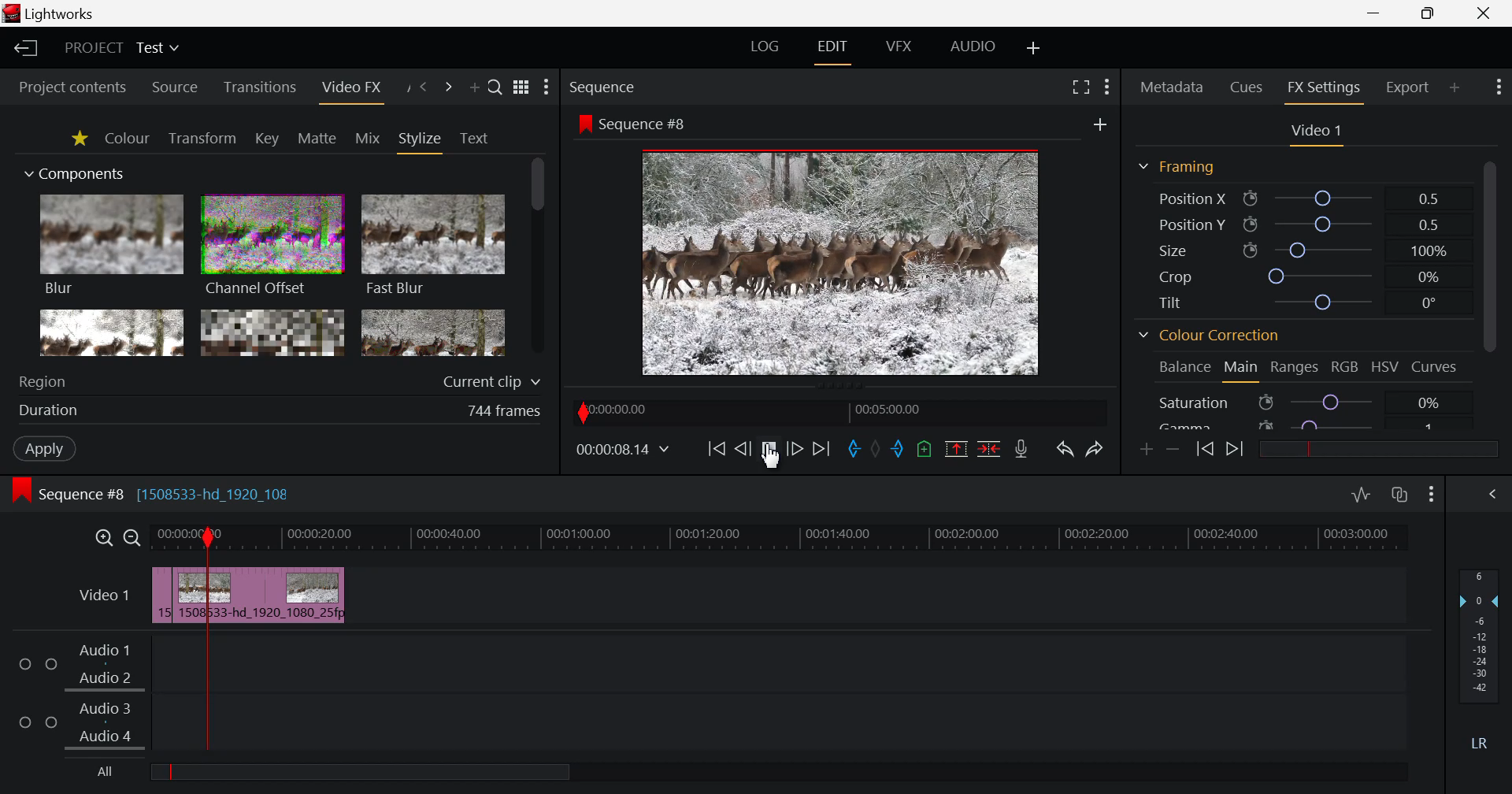 The width and height of the screenshot is (1512, 794). I want to click on Gamma, so click(1310, 423).